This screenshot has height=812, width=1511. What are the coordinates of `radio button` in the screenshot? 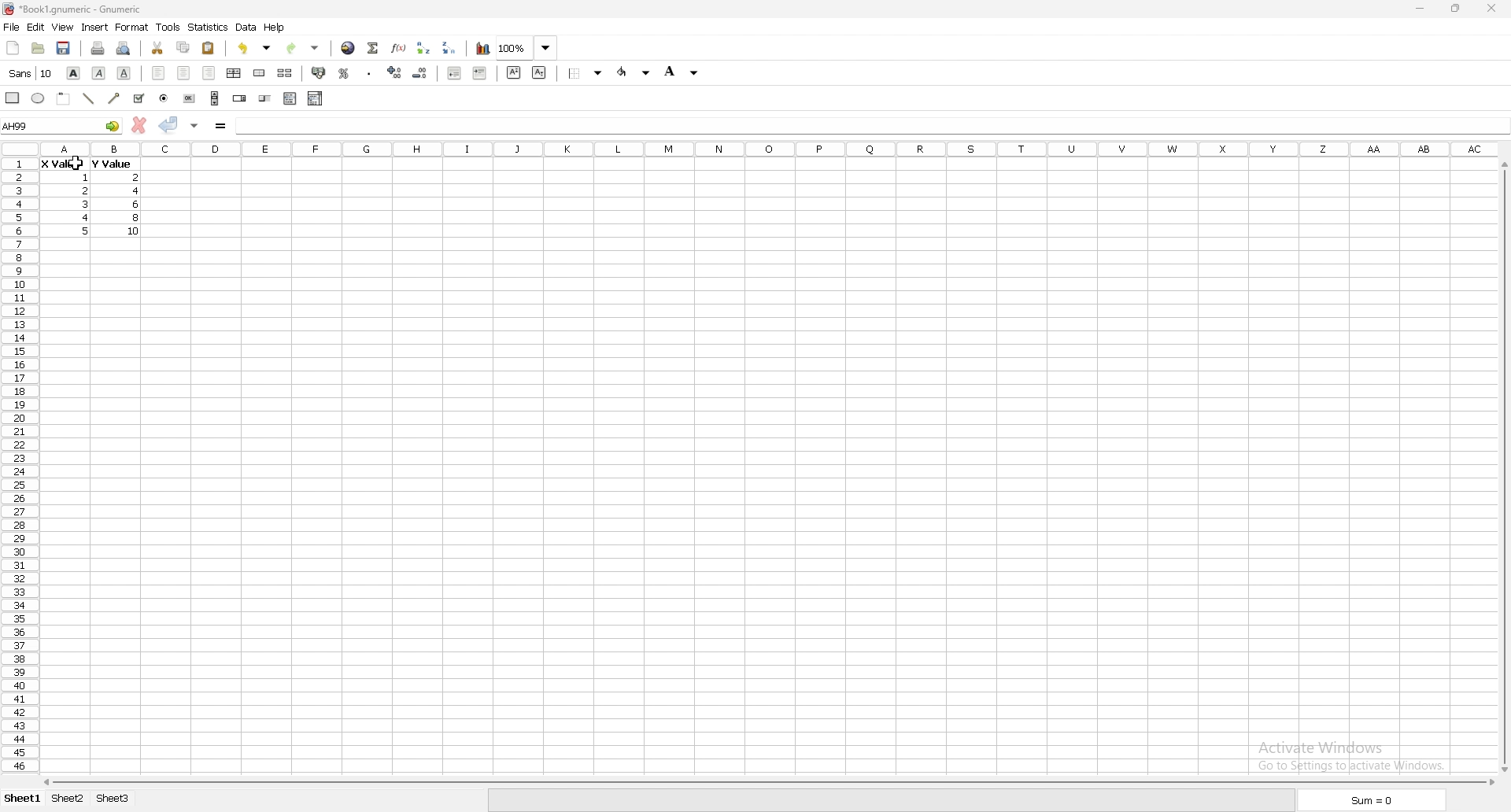 It's located at (164, 98).